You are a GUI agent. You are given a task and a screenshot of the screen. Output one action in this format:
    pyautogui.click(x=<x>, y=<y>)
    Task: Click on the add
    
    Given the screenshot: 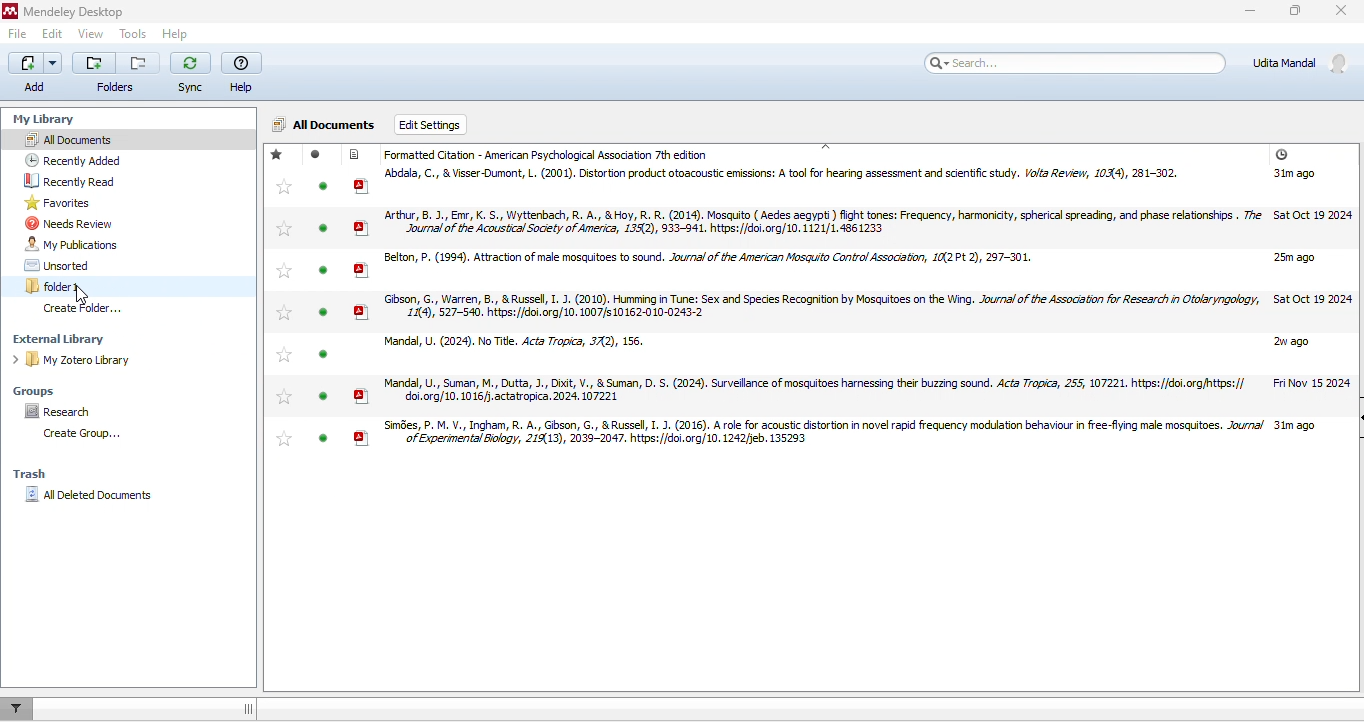 What is the action you would take?
    pyautogui.click(x=32, y=72)
    